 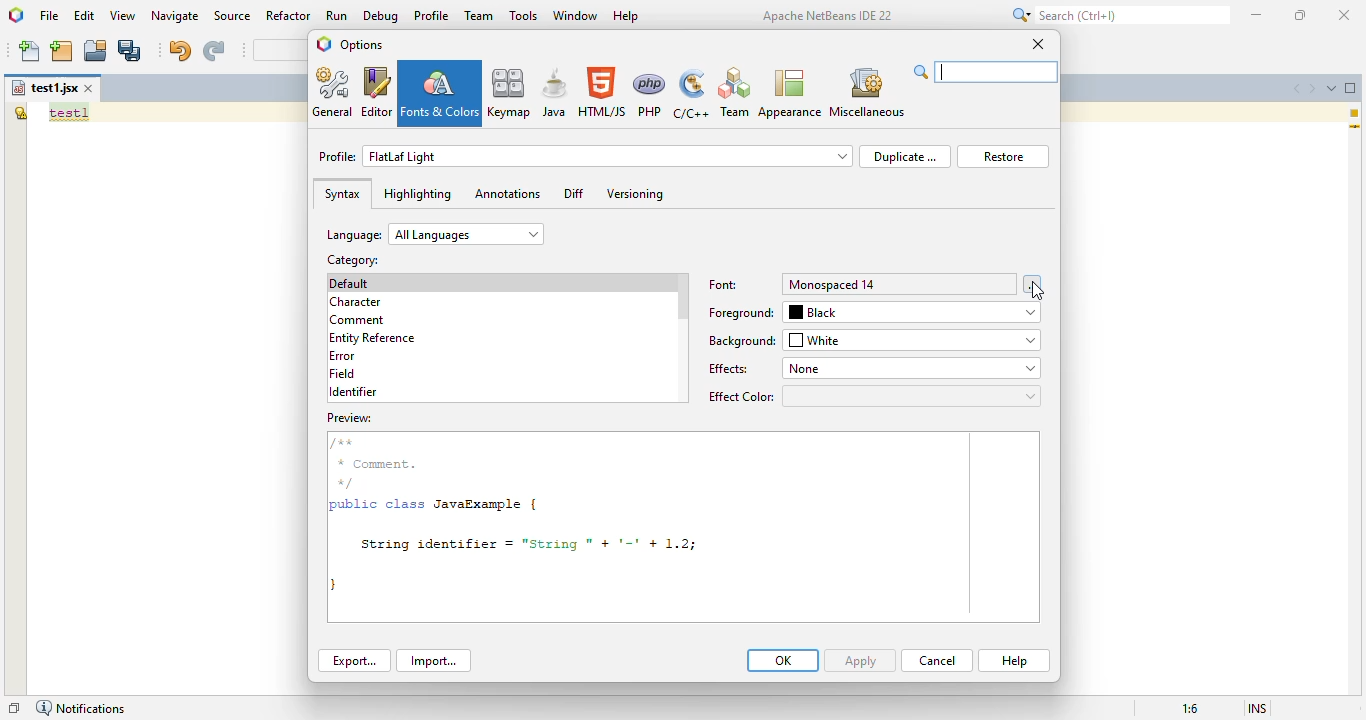 What do you see at coordinates (353, 392) in the screenshot?
I see `identifier` at bounding box center [353, 392].